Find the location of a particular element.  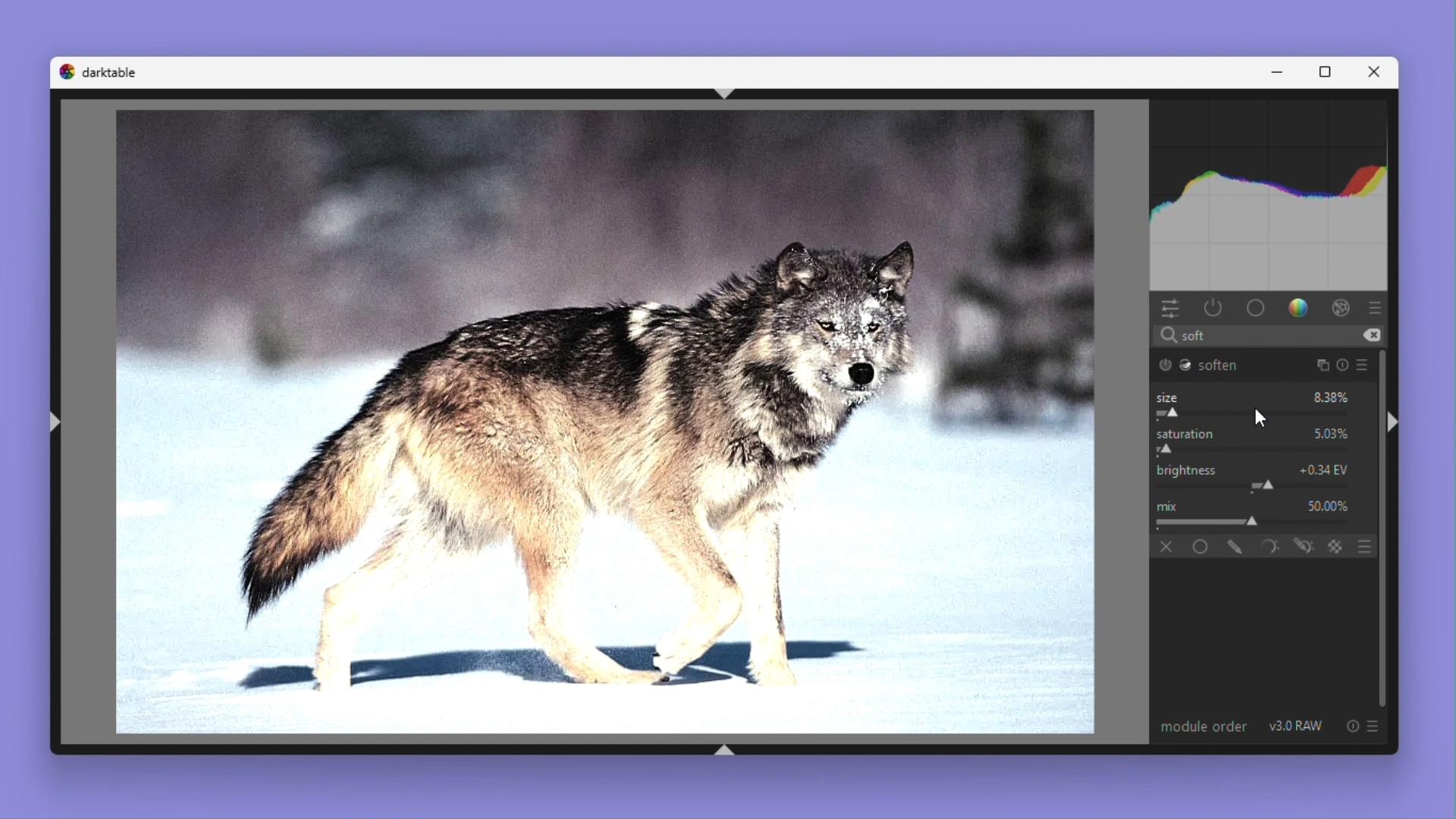

Maximize is located at coordinates (1329, 71).